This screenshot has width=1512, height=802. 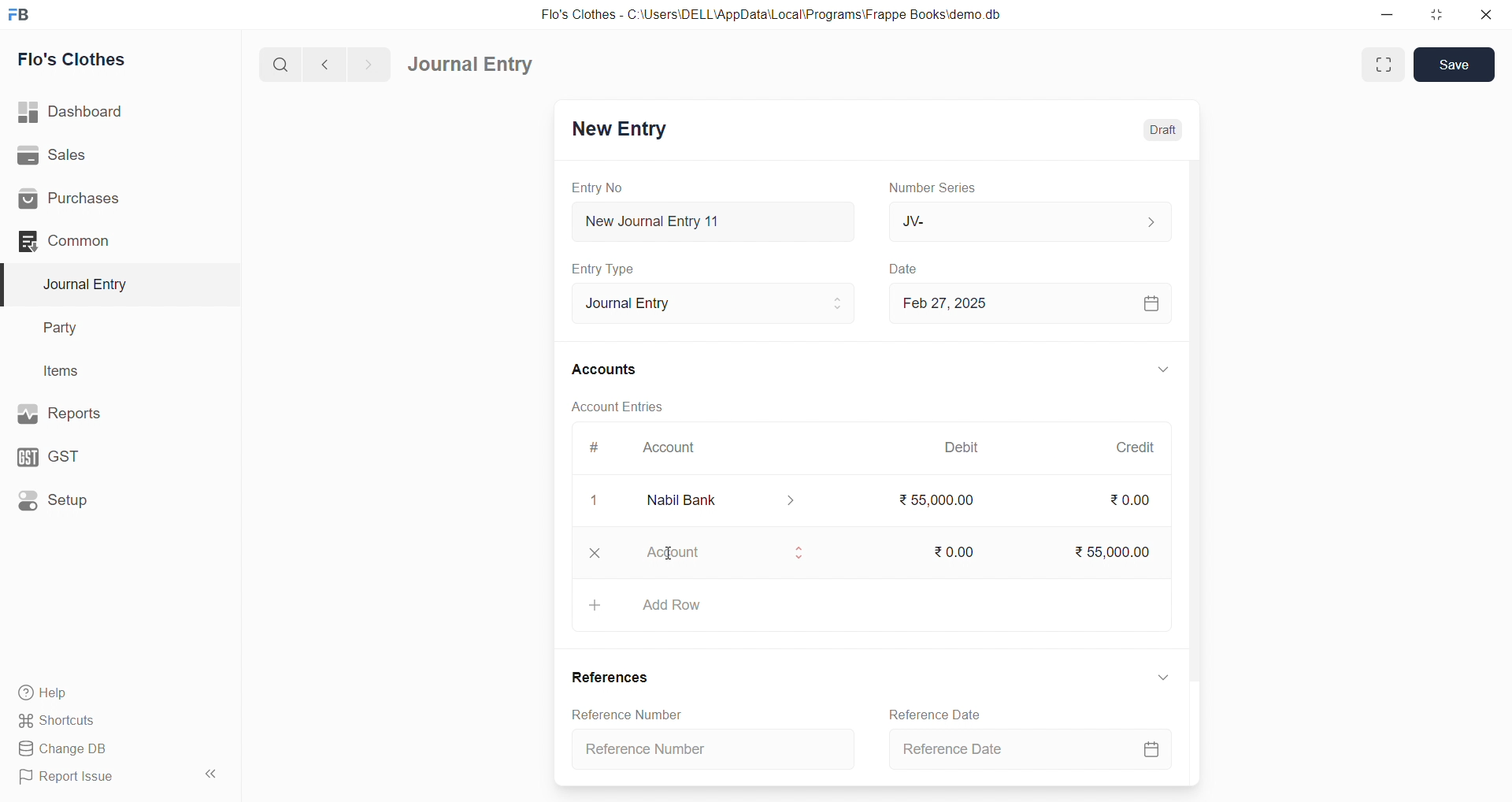 What do you see at coordinates (1028, 219) in the screenshot?
I see `JV-` at bounding box center [1028, 219].